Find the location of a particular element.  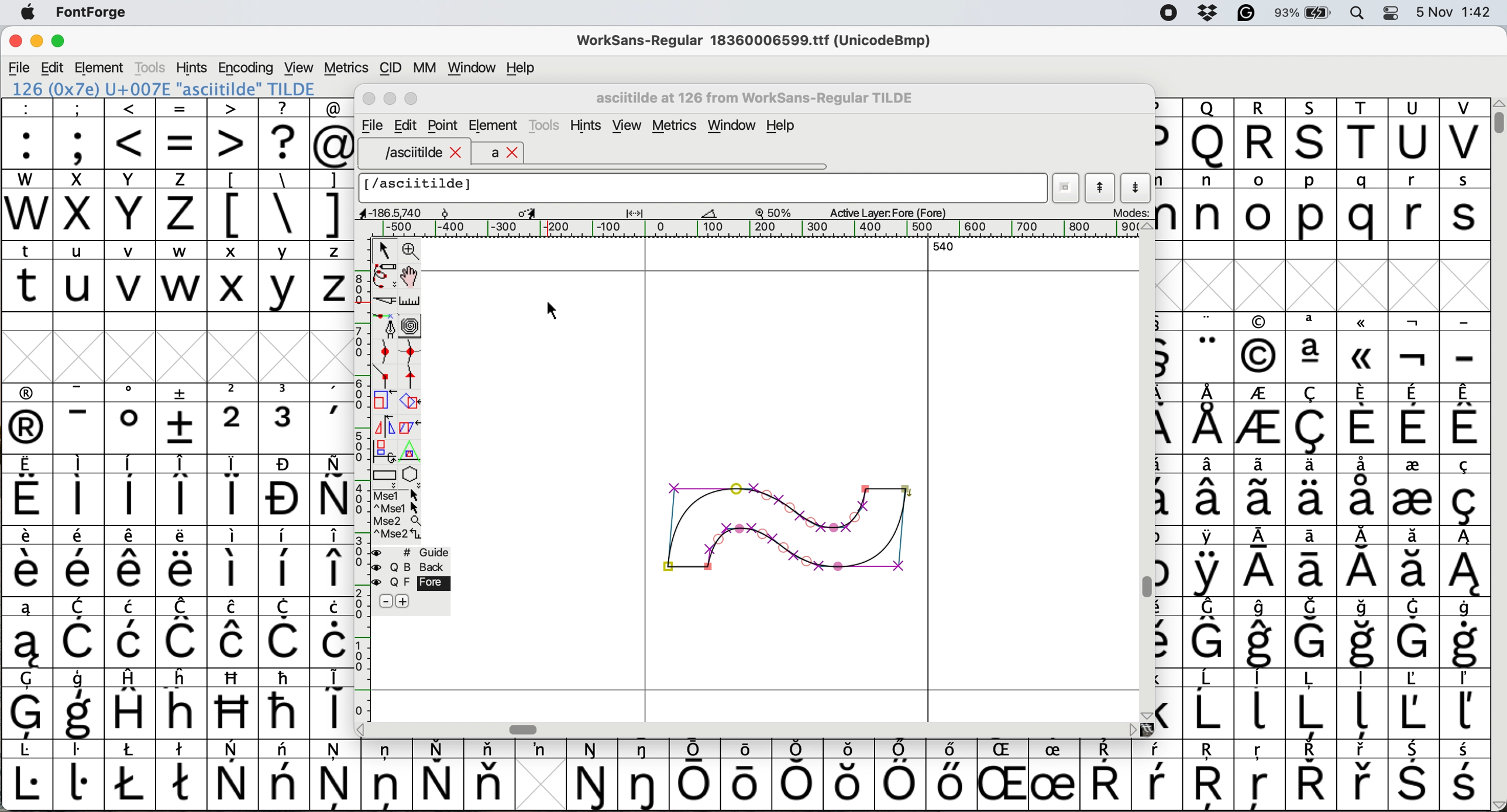

window is located at coordinates (469, 68).